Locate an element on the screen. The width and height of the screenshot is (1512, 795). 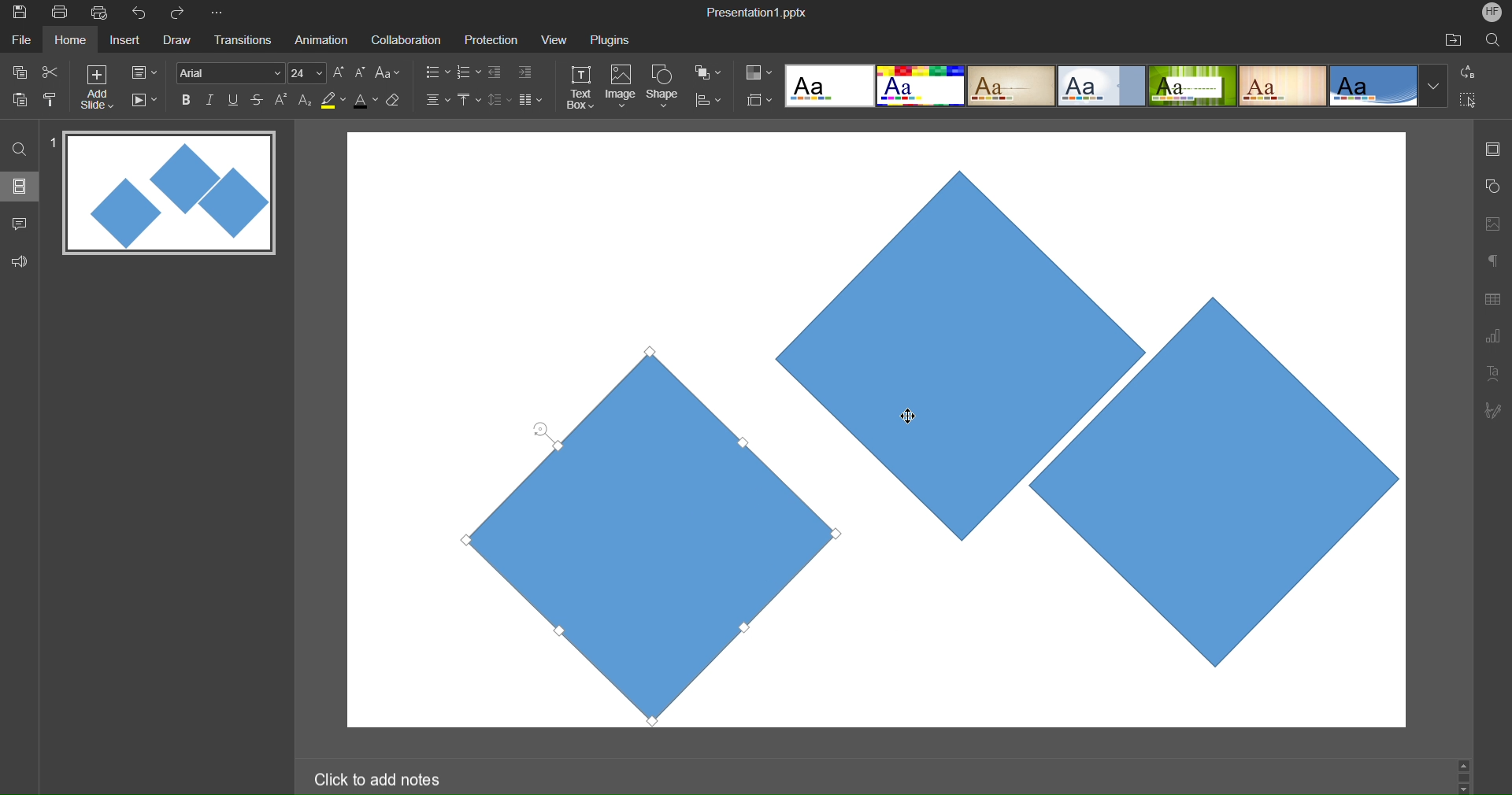
Home is located at coordinates (70, 40).